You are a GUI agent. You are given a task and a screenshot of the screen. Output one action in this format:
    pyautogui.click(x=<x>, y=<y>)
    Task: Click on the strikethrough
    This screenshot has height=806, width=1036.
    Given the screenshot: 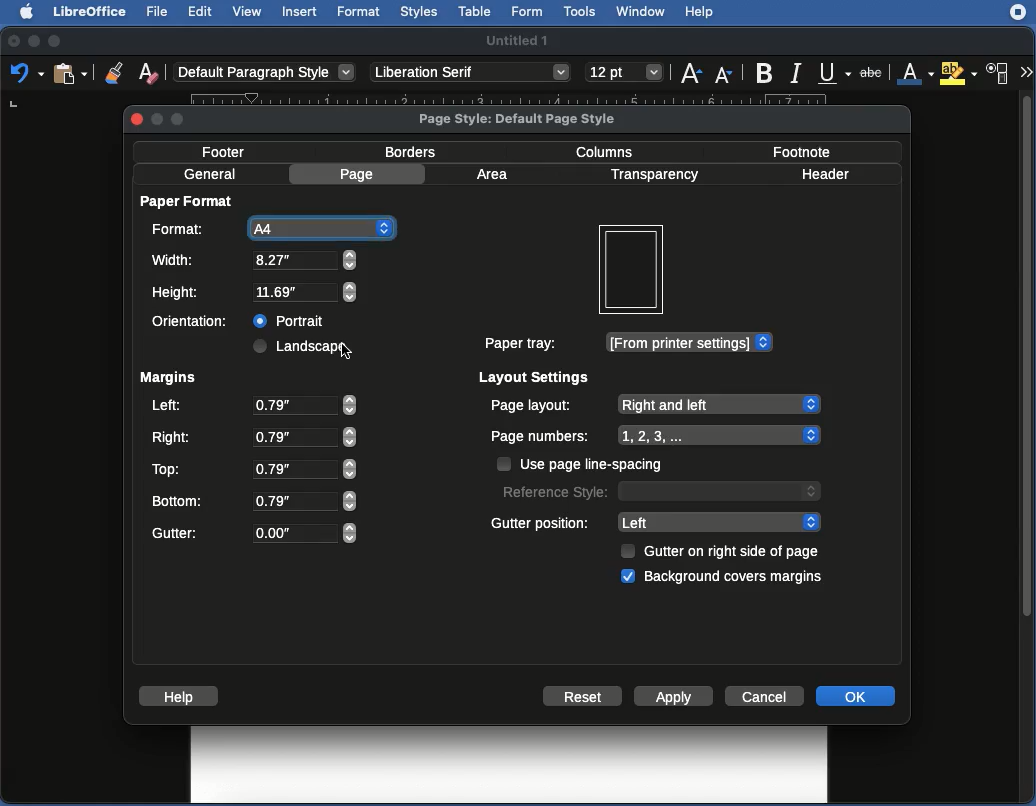 What is the action you would take?
    pyautogui.click(x=871, y=70)
    